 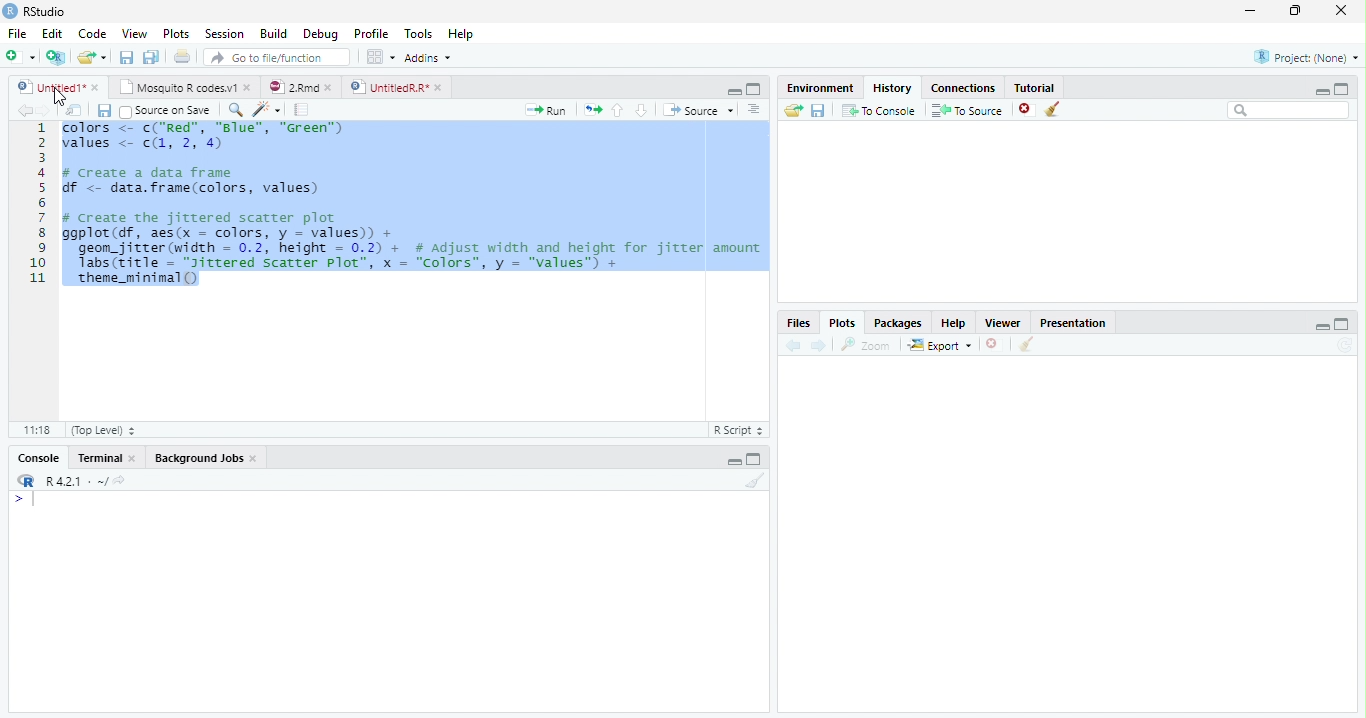 I want to click on Next plot, so click(x=818, y=345).